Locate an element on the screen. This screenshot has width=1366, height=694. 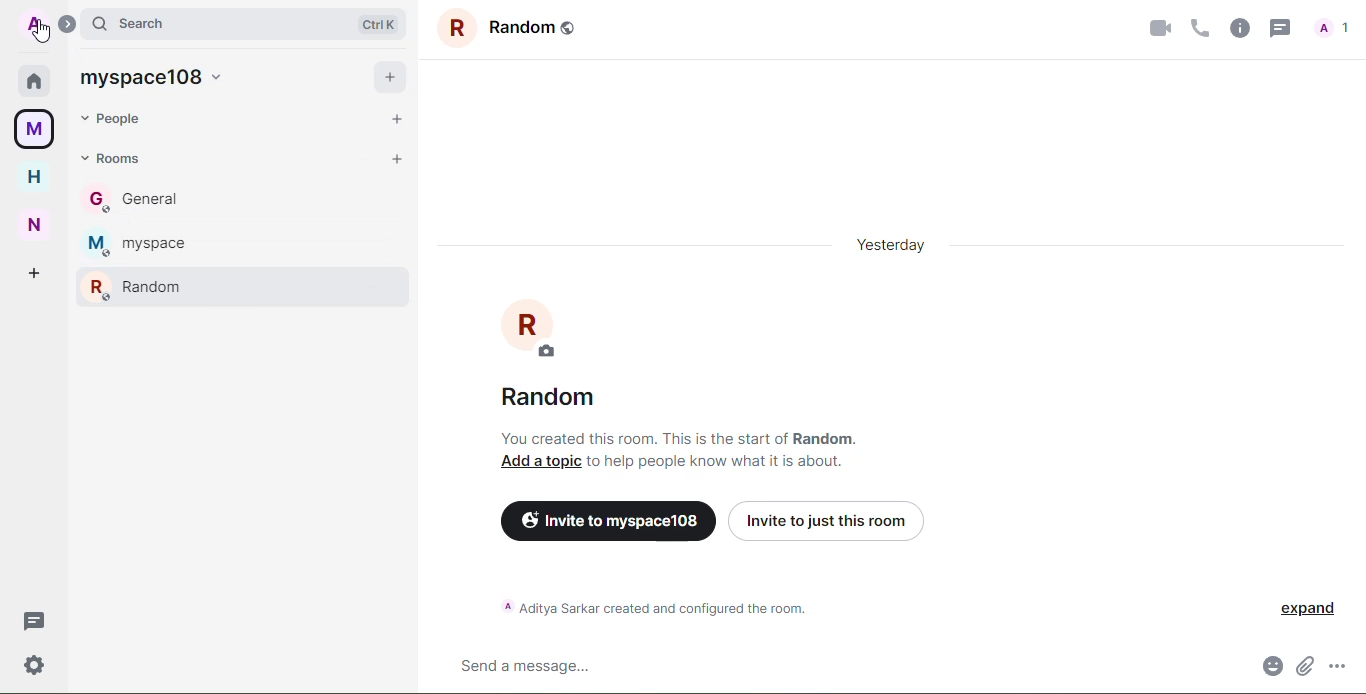
rooms is located at coordinates (116, 157).